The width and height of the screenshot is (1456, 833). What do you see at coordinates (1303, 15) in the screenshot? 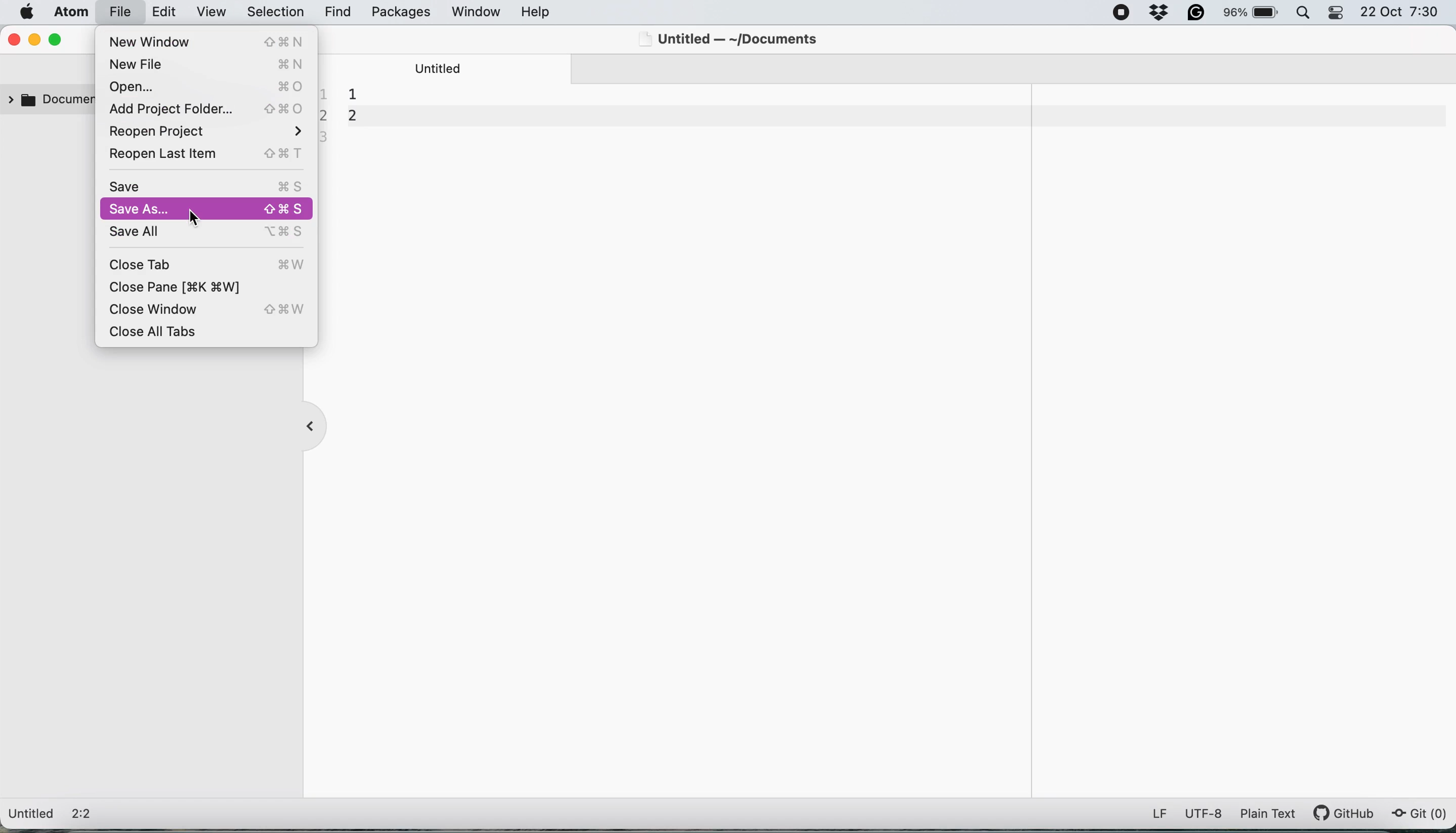
I see `spotlight search` at bounding box center [1303, 15].